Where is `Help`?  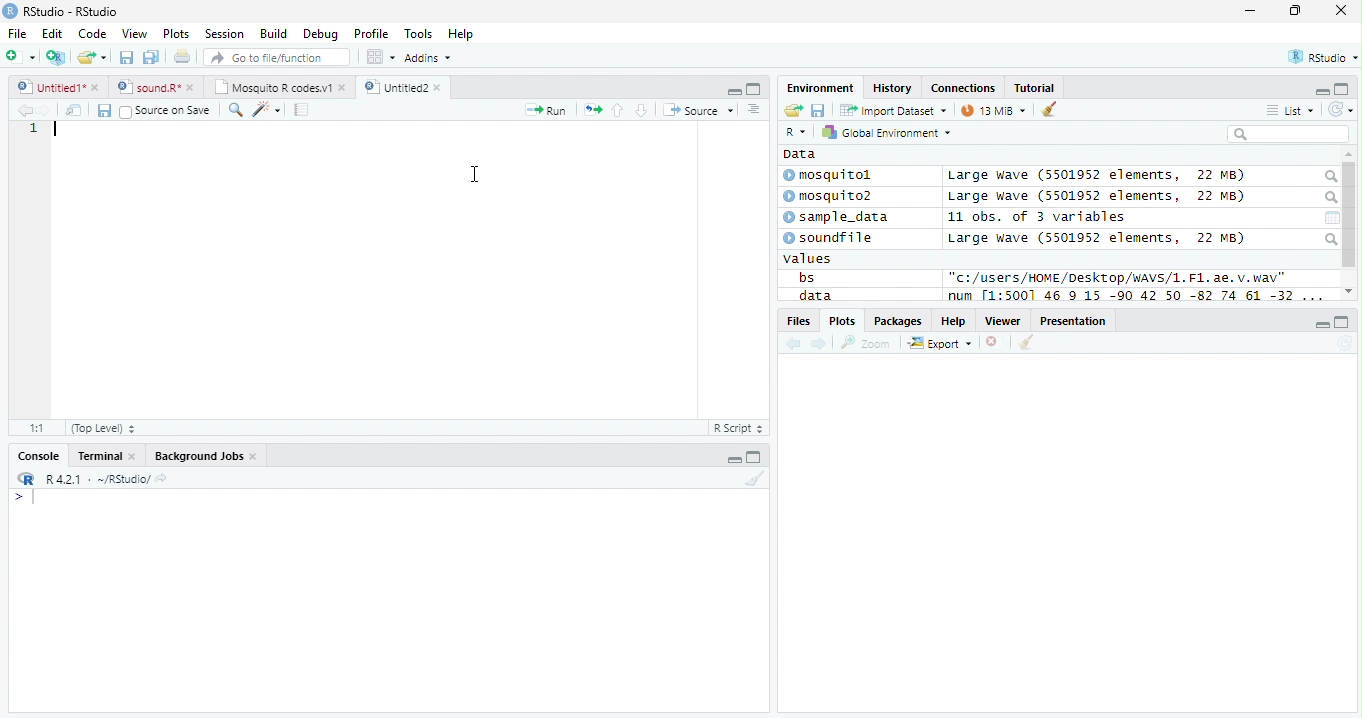 Help is located at coordinates (463, 34).